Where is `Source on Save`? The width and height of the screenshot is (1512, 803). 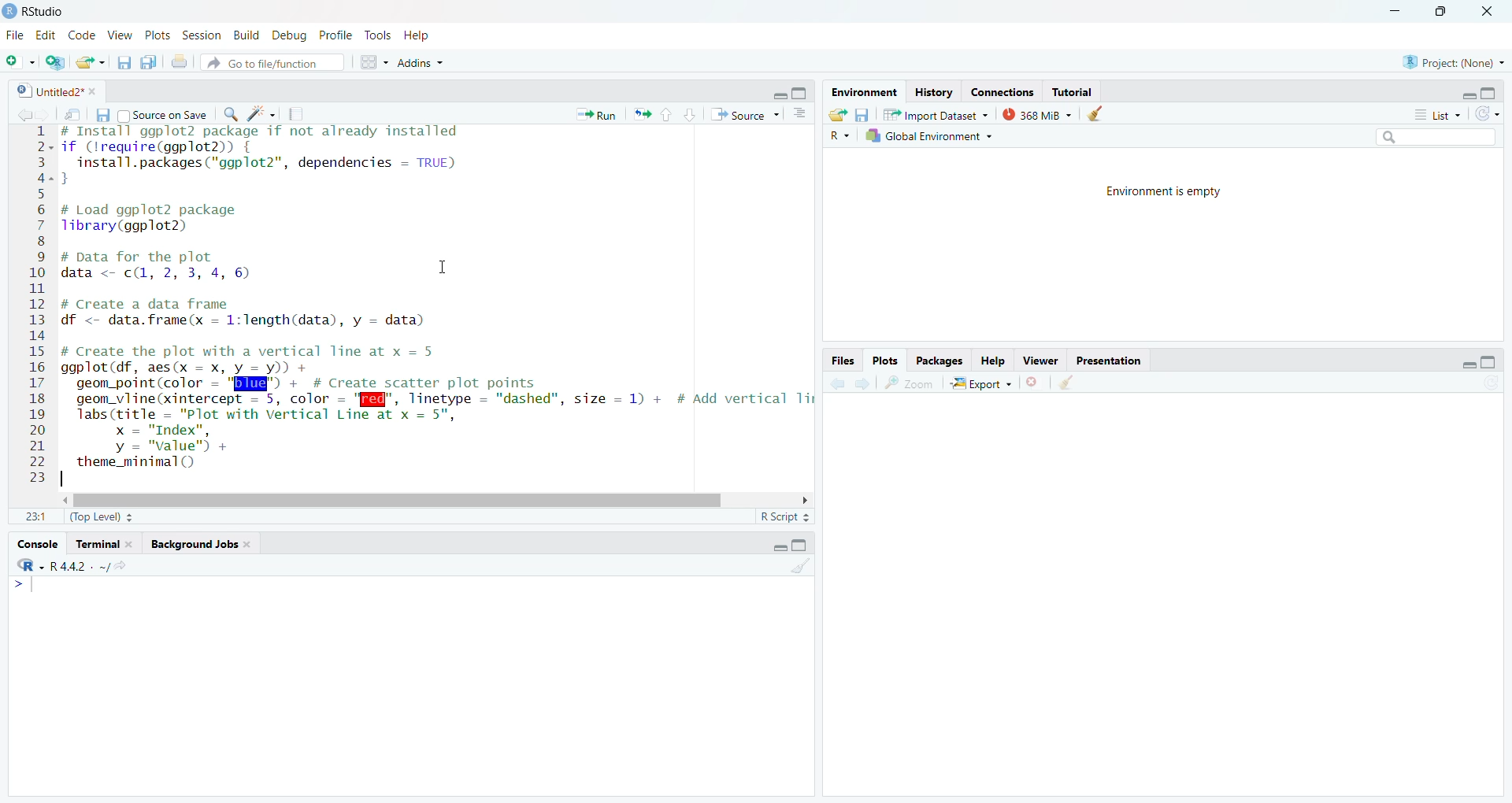
Source on Save is located at coordinates (163, 113).